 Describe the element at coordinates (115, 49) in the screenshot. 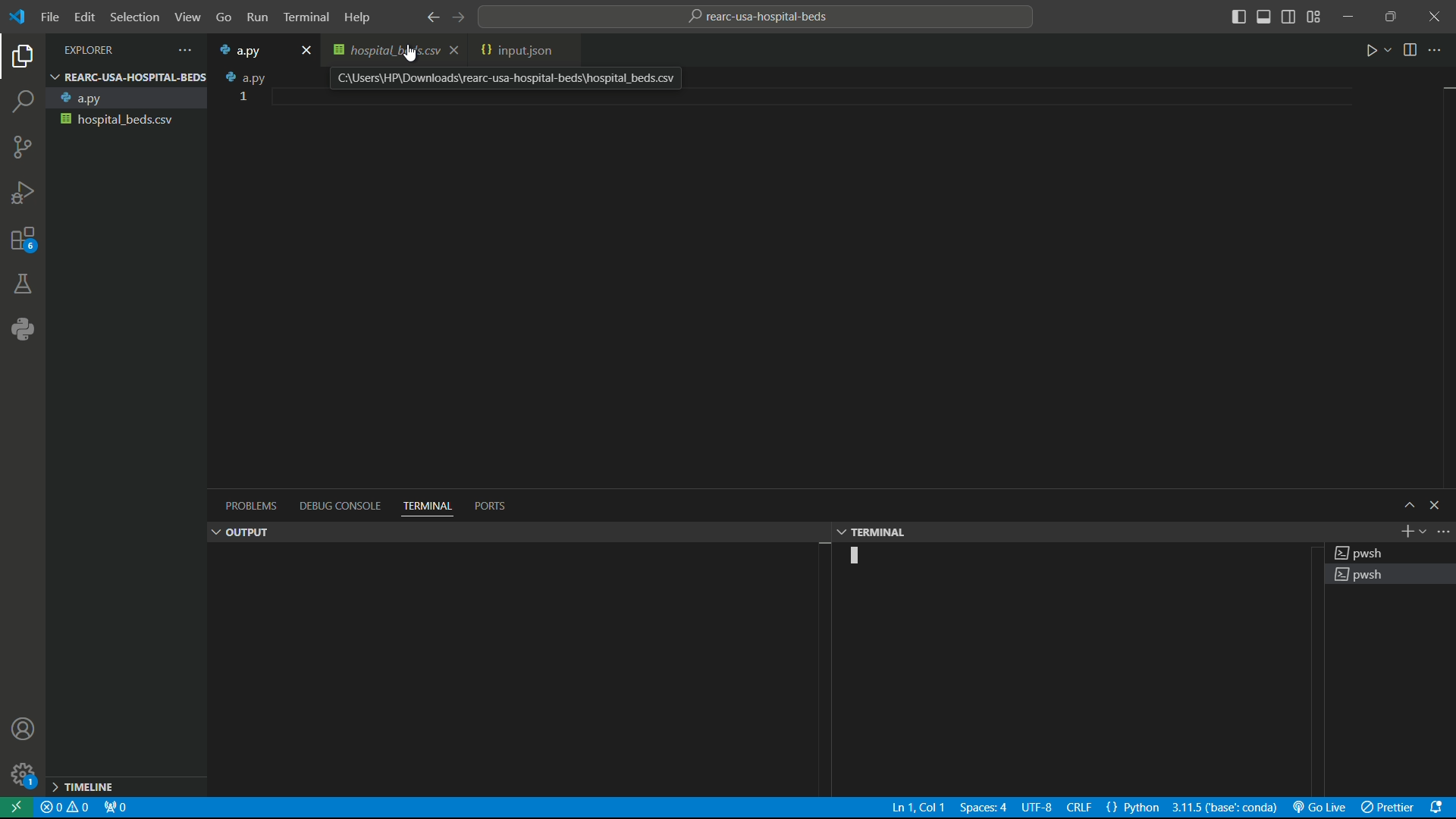

I see `EXPLORER` at that location.